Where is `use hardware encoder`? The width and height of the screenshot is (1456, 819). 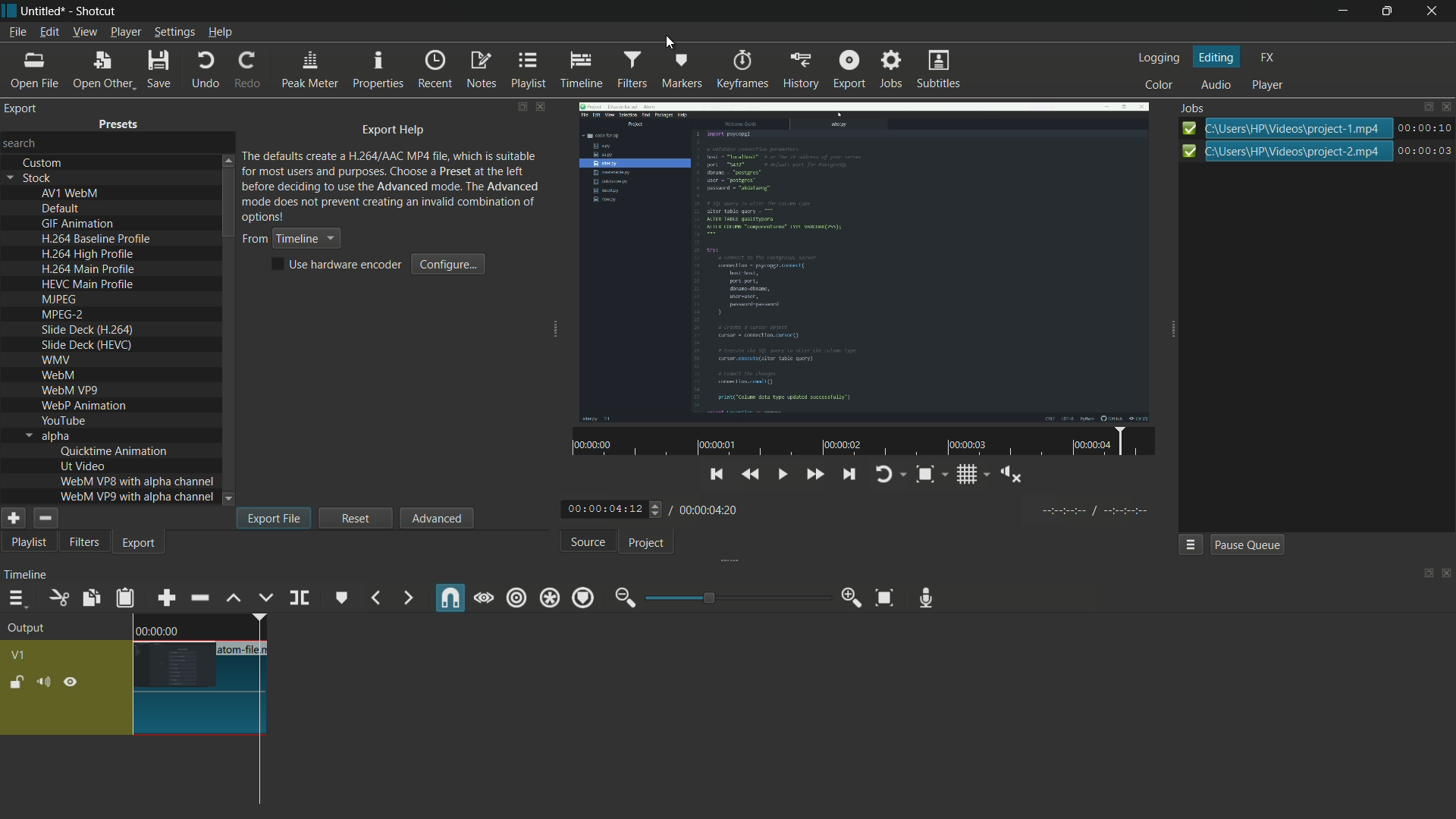
use hardware encoder is located at coordinates (339, 265).